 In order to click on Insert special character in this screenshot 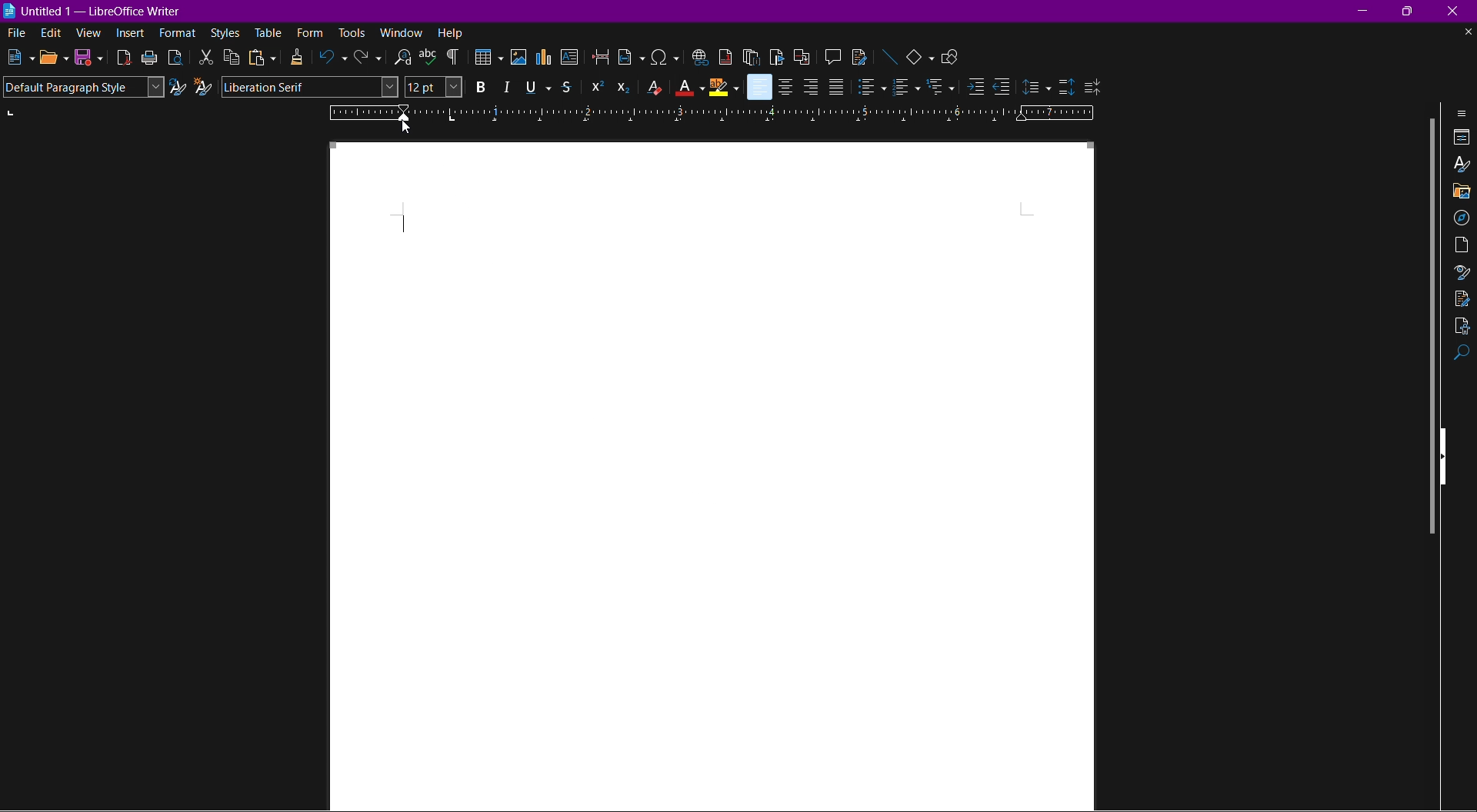, I will do `click(665, 56)`.